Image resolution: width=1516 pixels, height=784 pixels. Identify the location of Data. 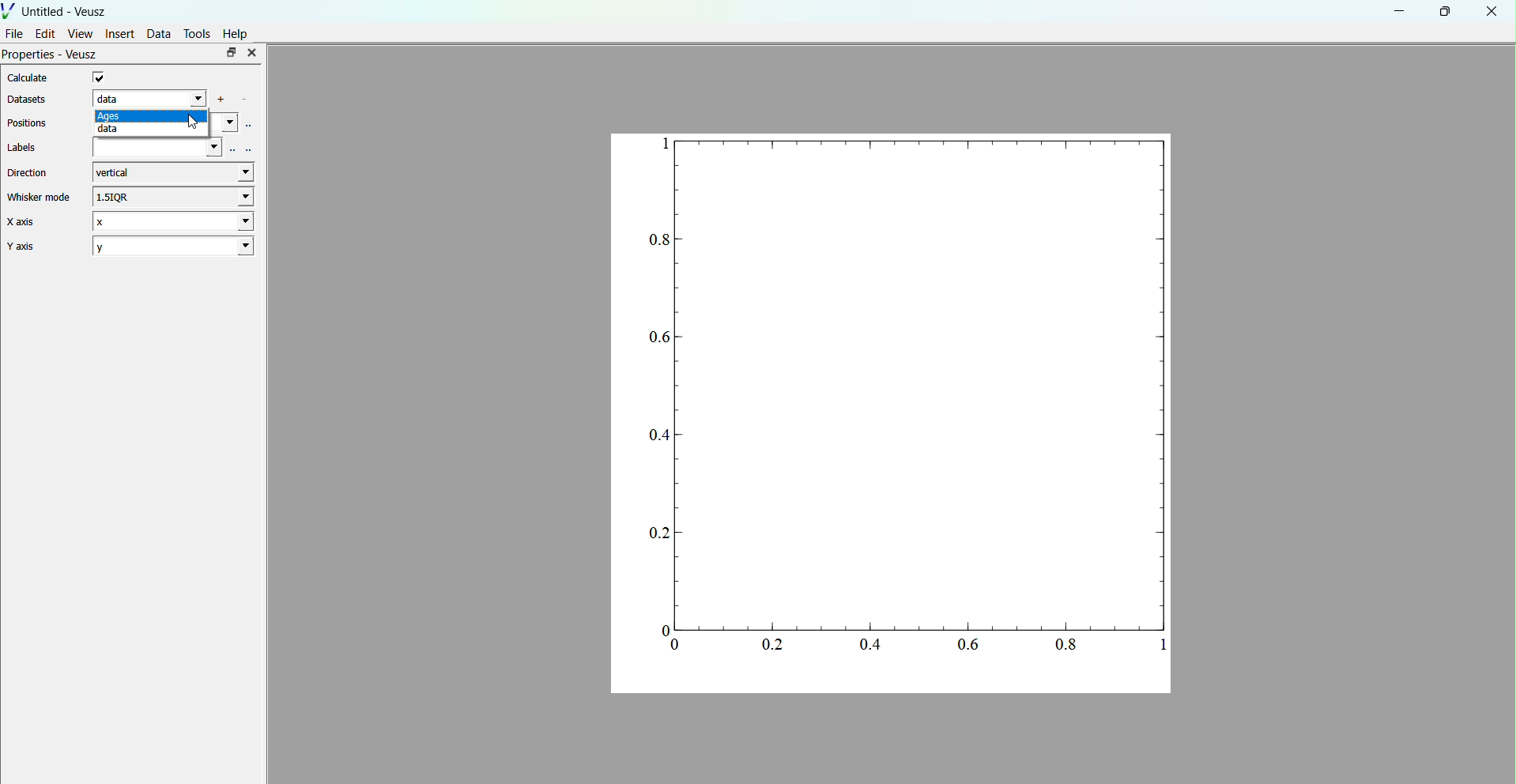
(159, 33).